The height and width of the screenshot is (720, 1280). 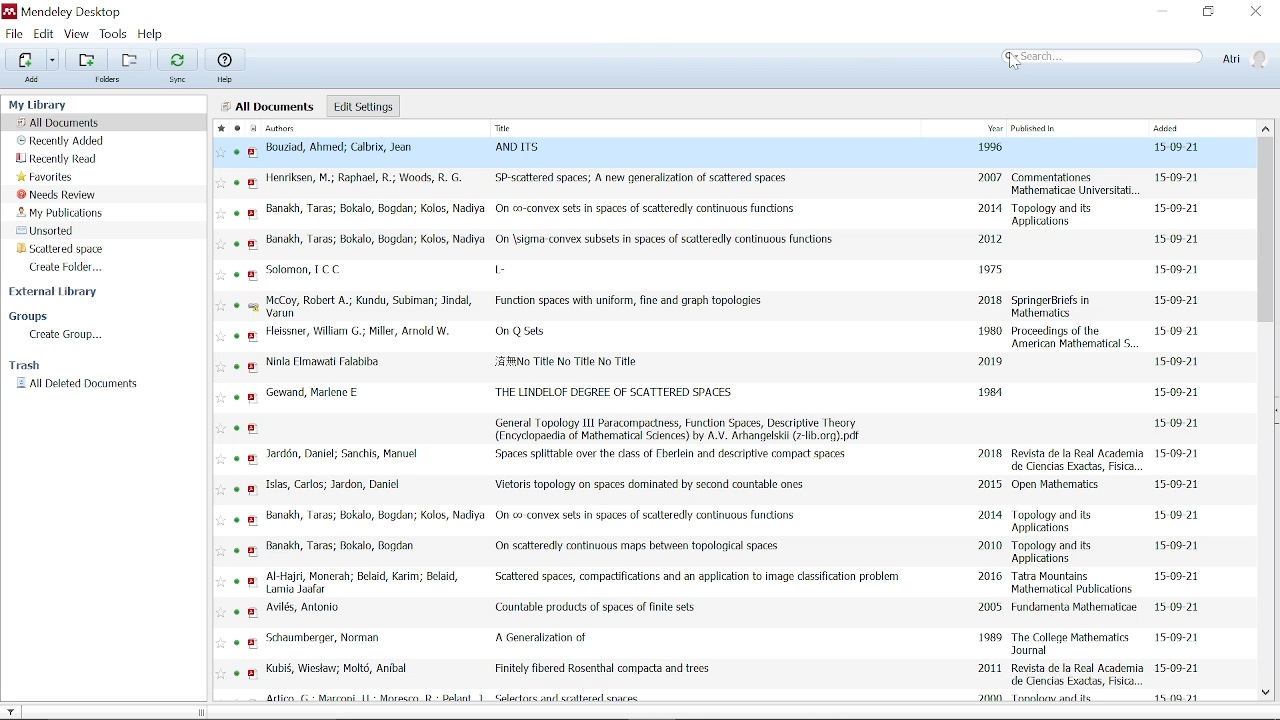 What do you see at coordinates (1104, 56) in the screenshot?
I see `Search` at bounding box center [1104, 56].